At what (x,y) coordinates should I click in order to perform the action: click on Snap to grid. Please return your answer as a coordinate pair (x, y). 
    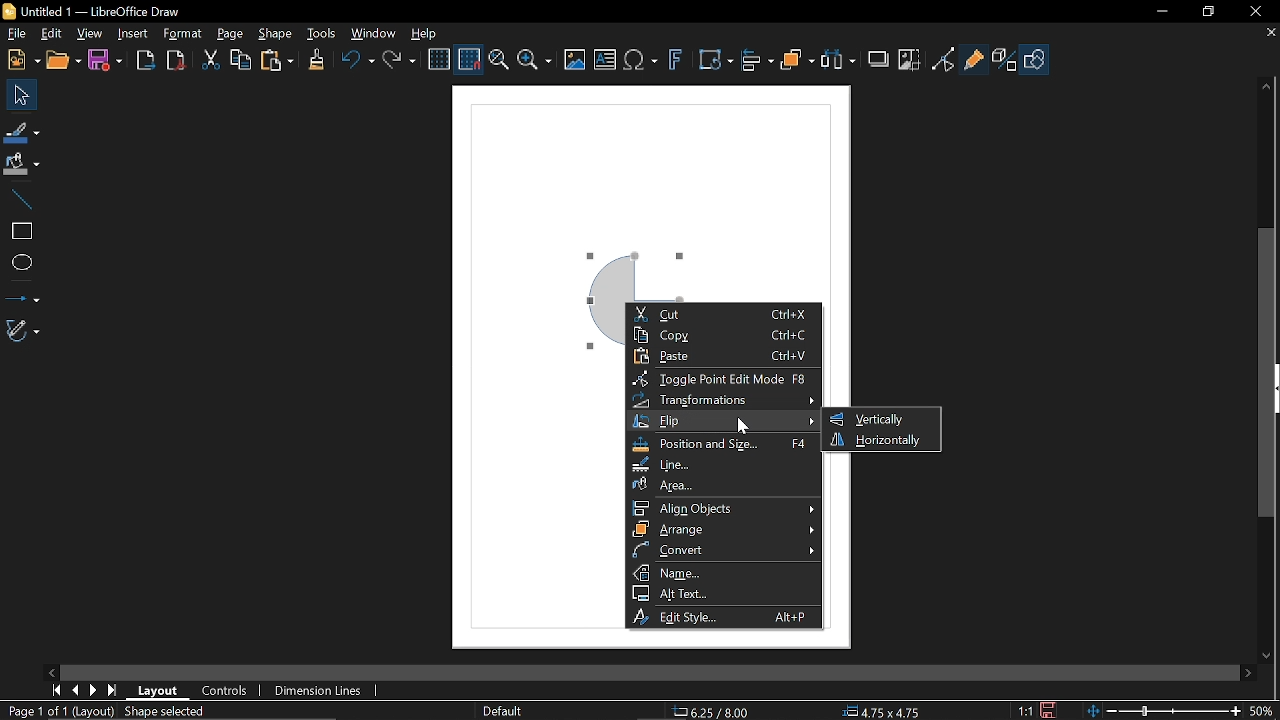
    Looking at the image, I should click on (470, 58).